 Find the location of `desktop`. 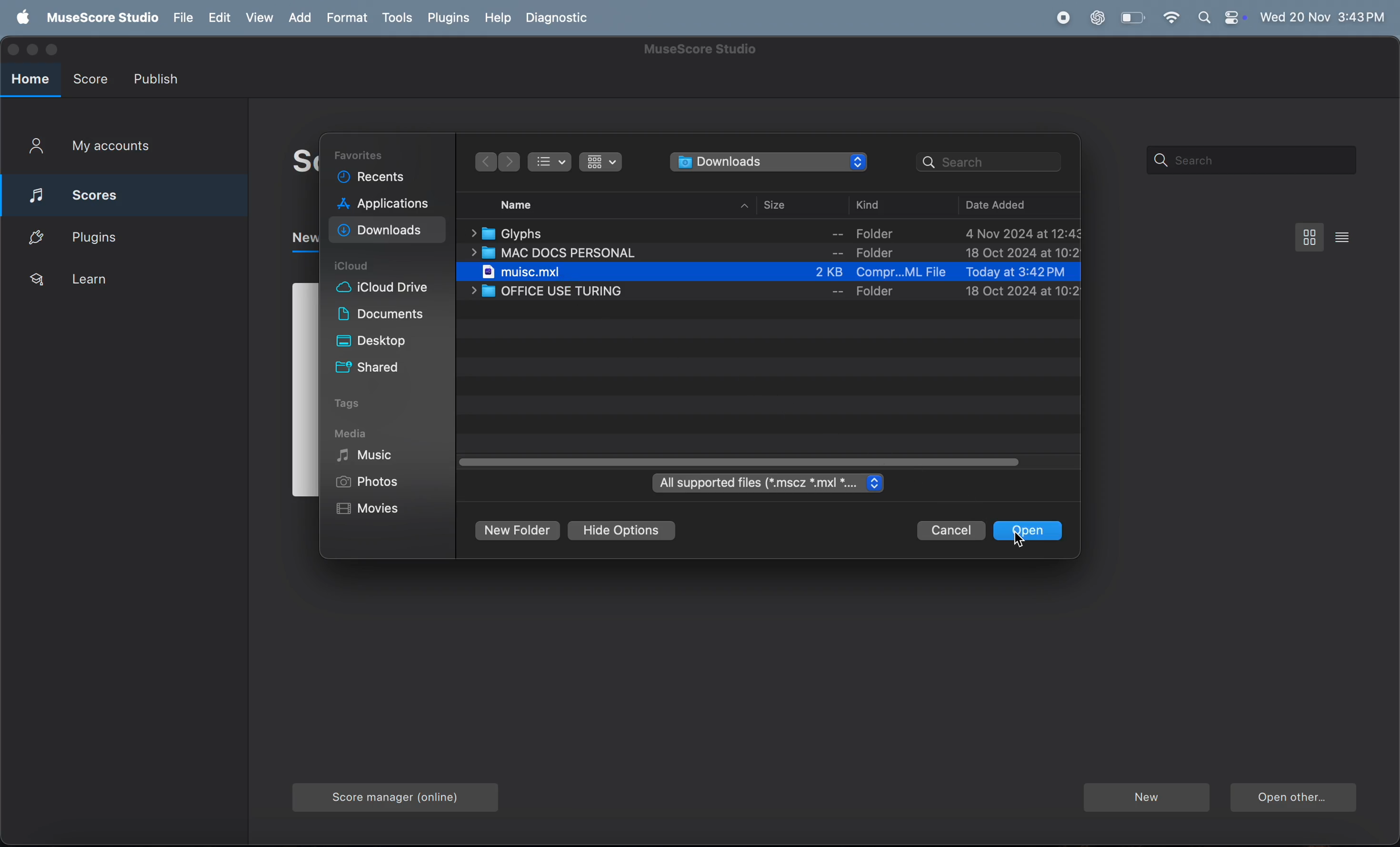

desktop is located at coordinates (378, 342).